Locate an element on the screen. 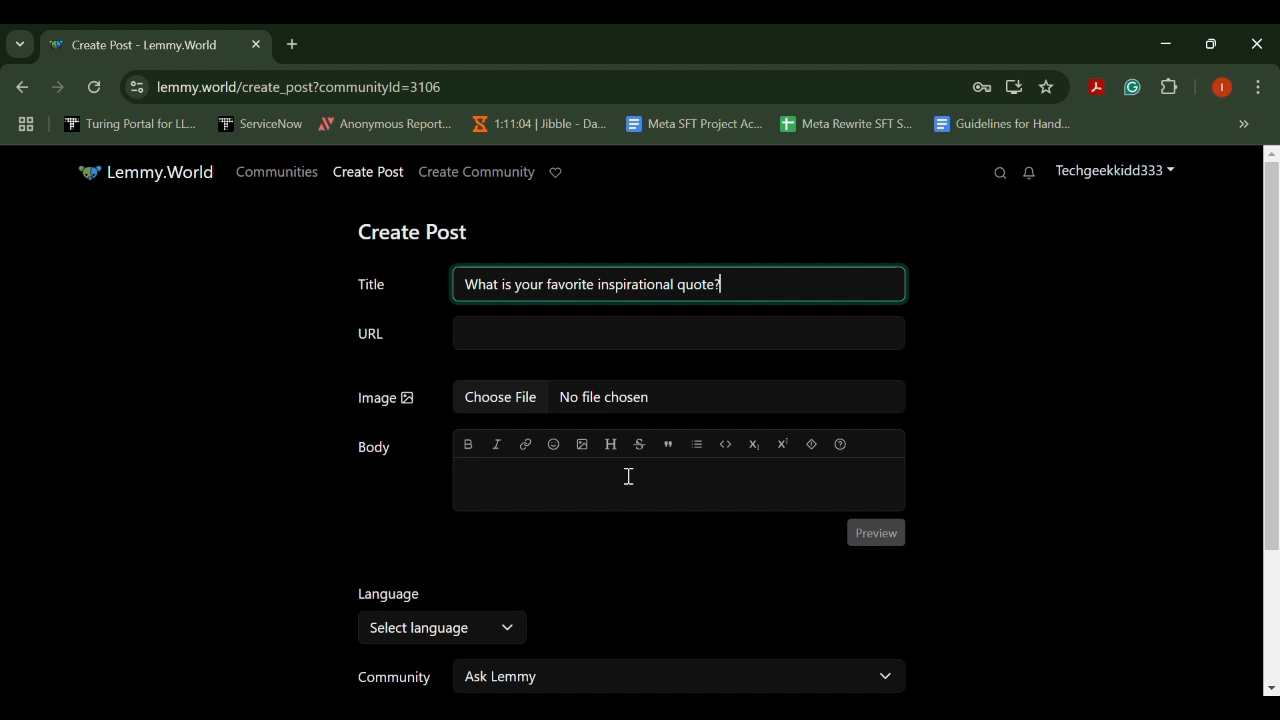 The width and height of the screenshot is (1280, 720). Superscript is located at coordinates (782, 443).